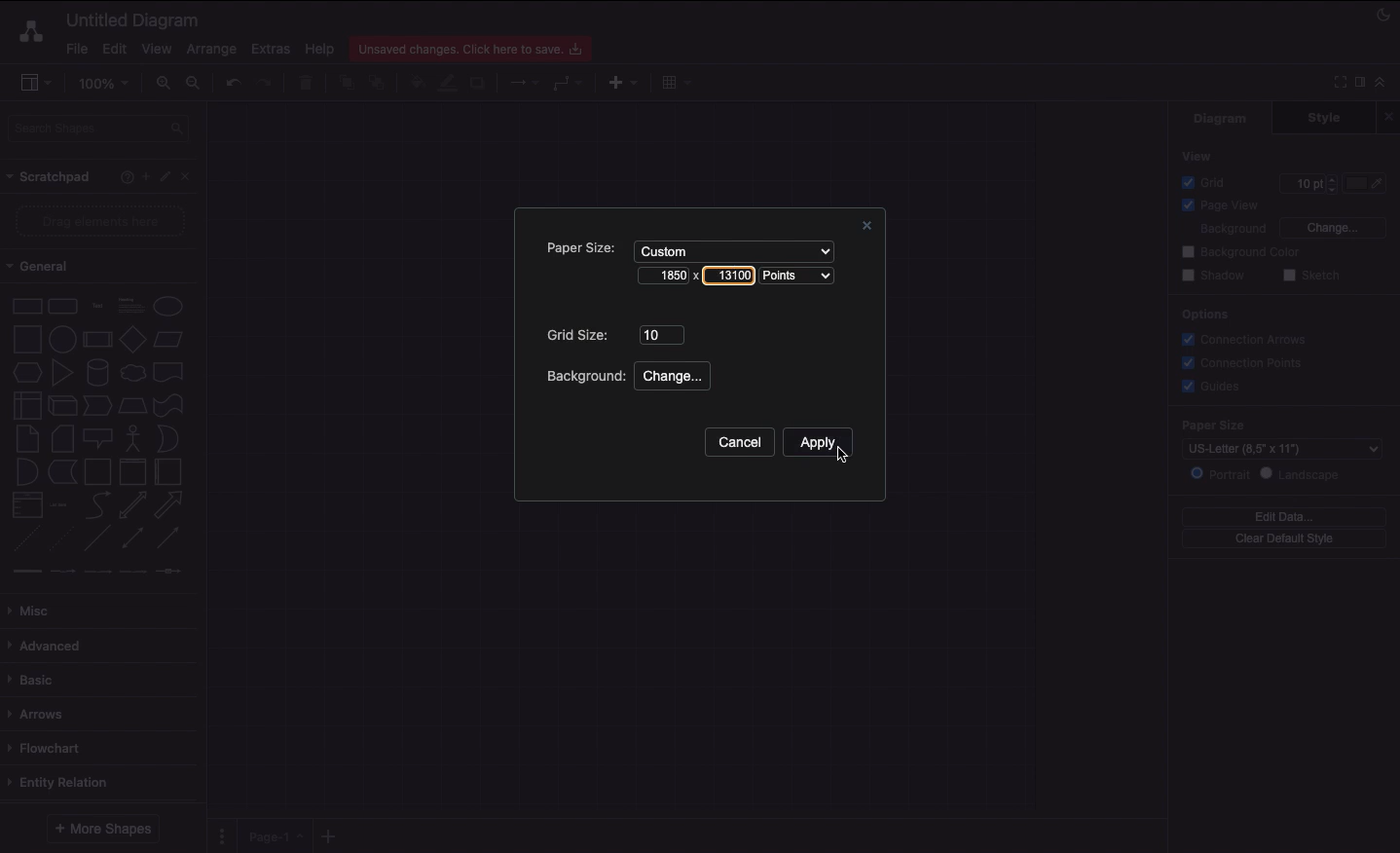 Image resolution: width=1400 pixels, height=853 pixels. Describe the element at coordinates (62, 438) in the screenshot. I see `Card` at that location.